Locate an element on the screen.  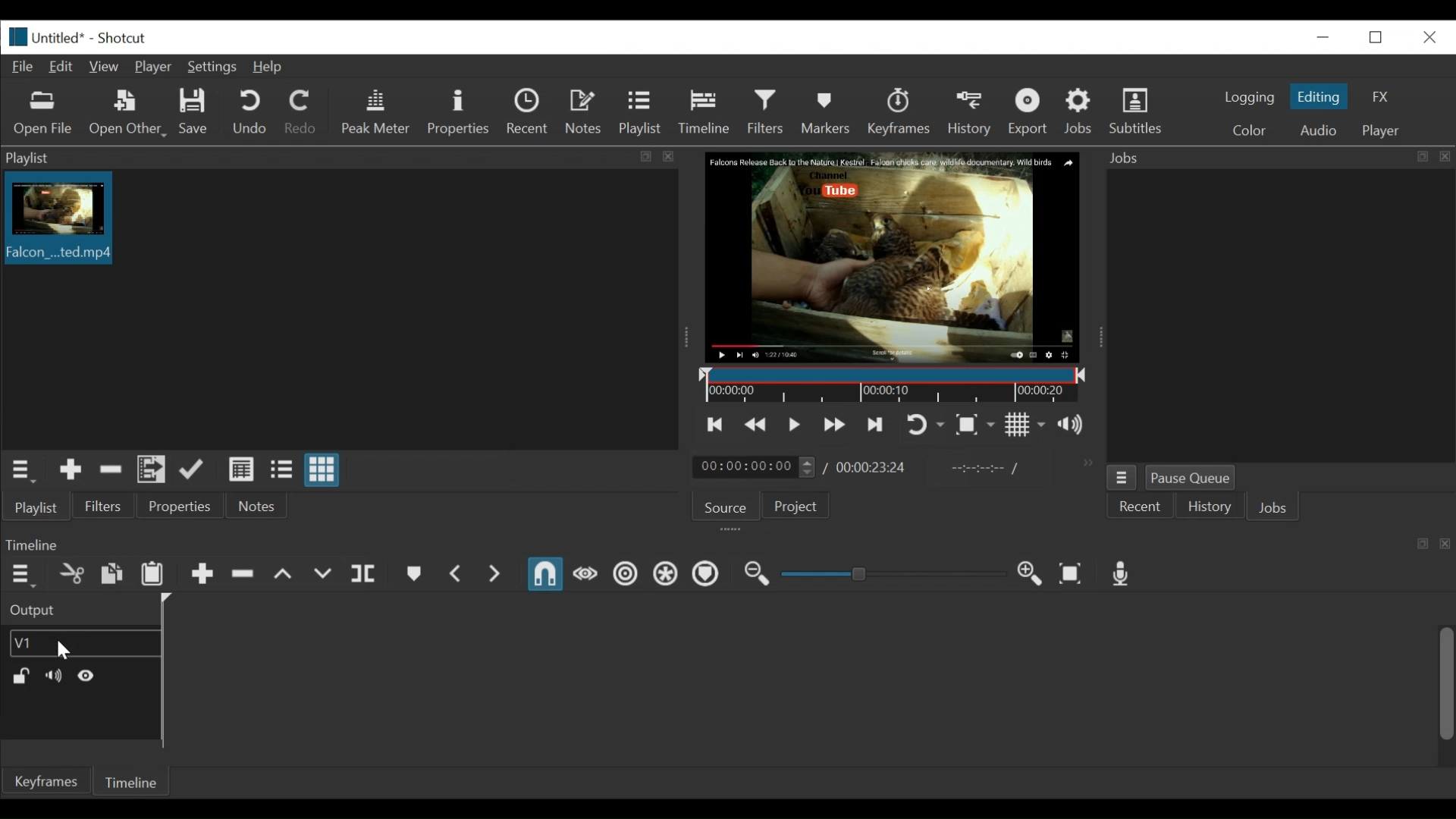
Copy is located at coordinates (112, 576).